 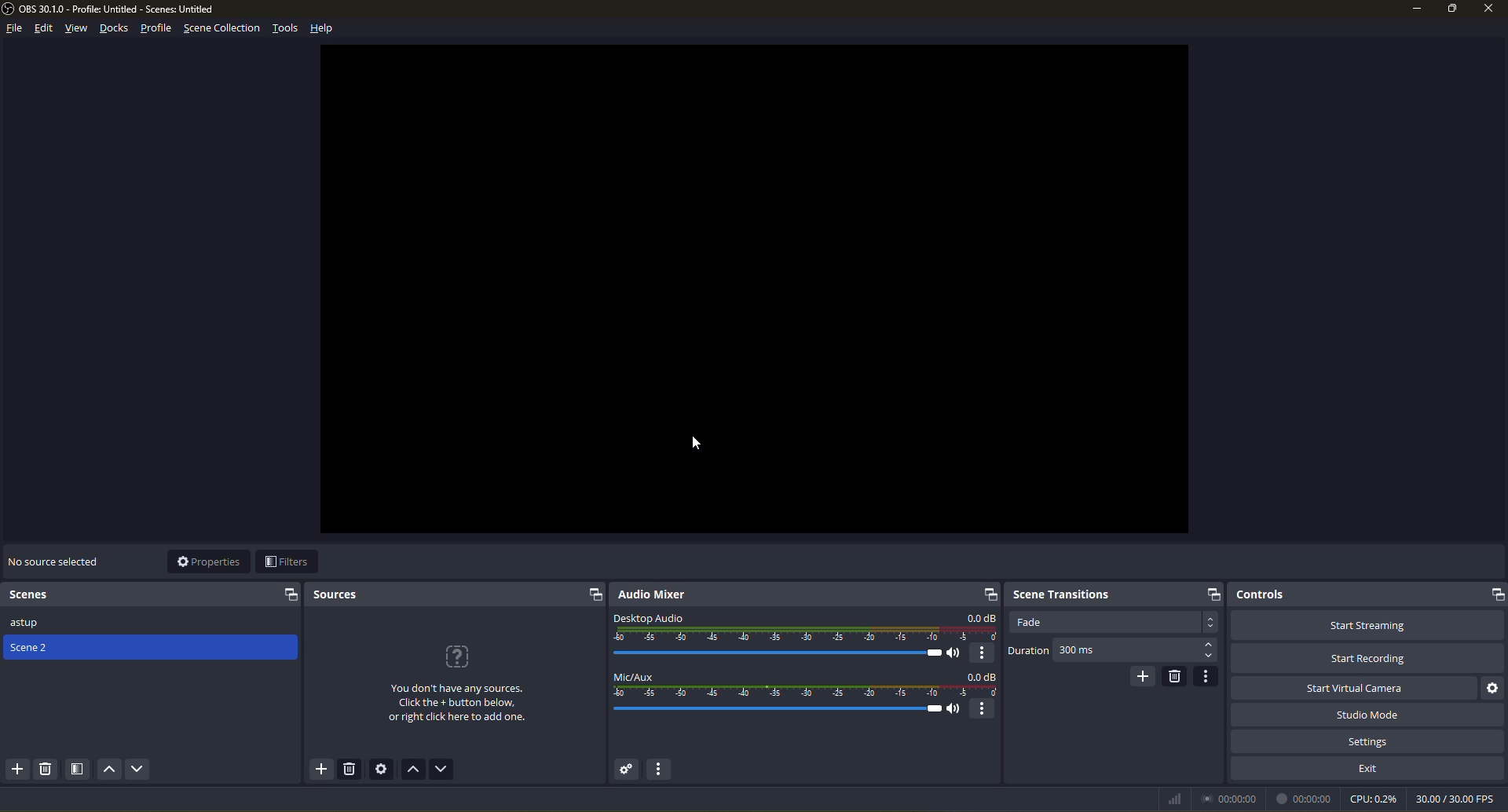 What do you see at coordinates (983, 654) in the screenshot?
I see `more options` at bounding box center [983, 654].